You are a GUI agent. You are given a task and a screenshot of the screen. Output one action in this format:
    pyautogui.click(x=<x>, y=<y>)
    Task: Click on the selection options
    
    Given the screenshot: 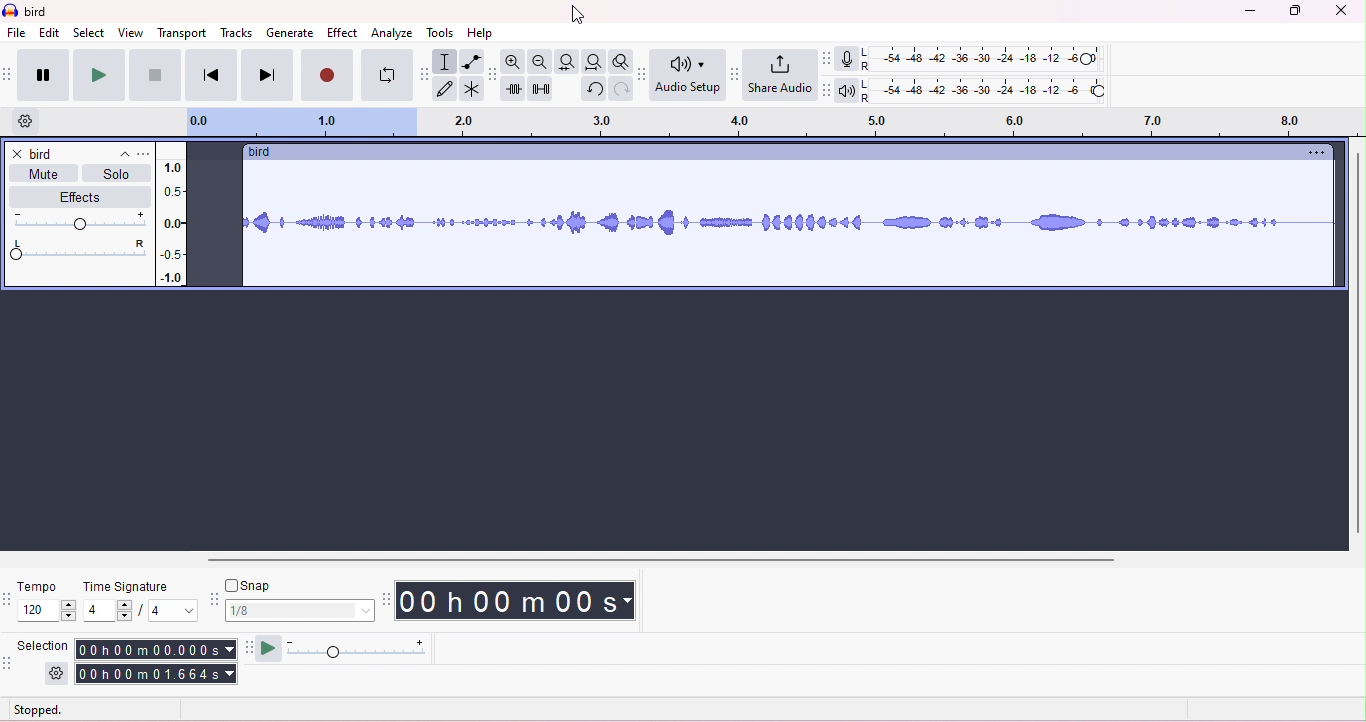 What is the action you would take?
    pyautogui.click(x=57, y=674)
    